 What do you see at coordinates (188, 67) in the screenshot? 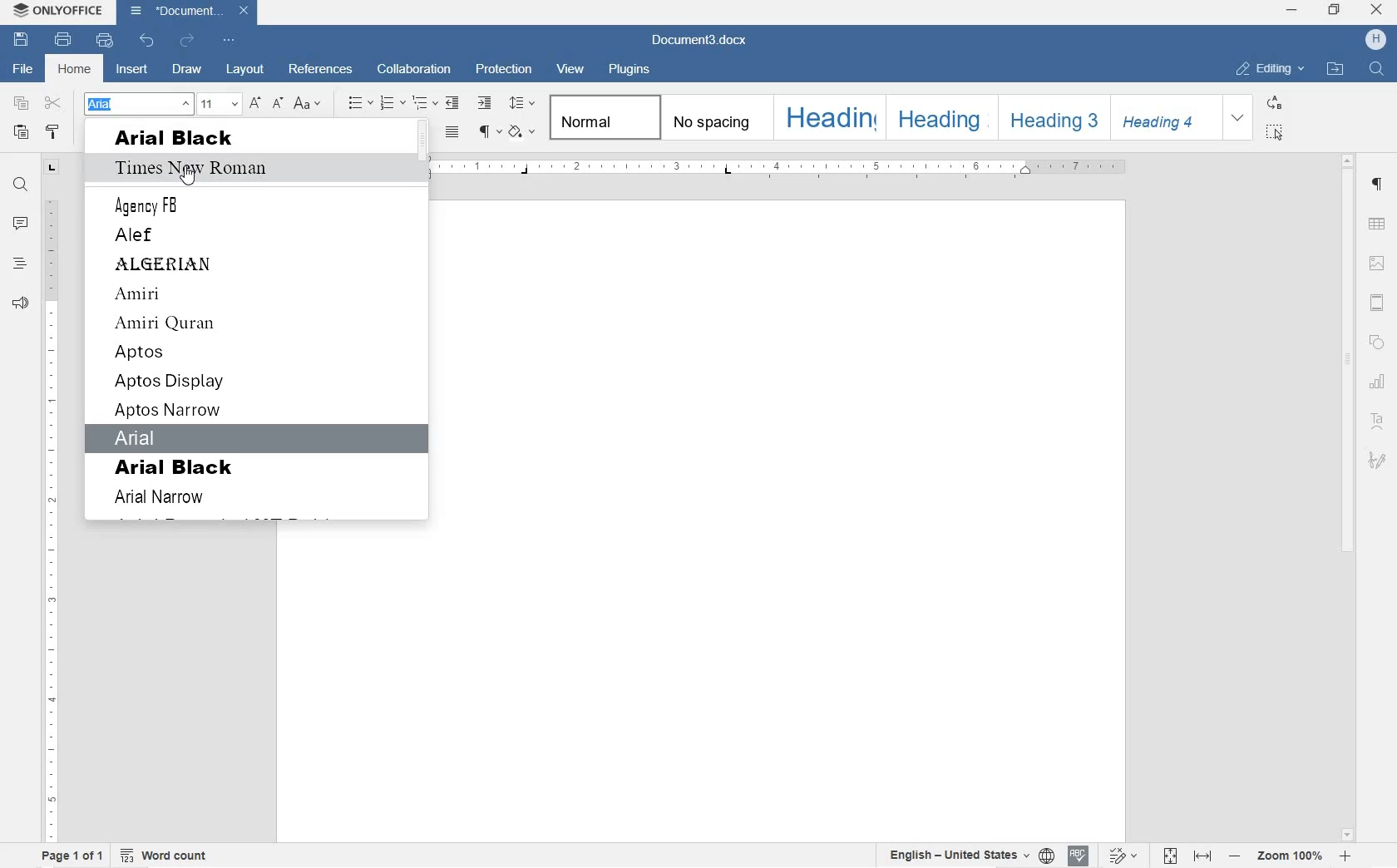
I see `DRAW` at bounding box center [188, 67].